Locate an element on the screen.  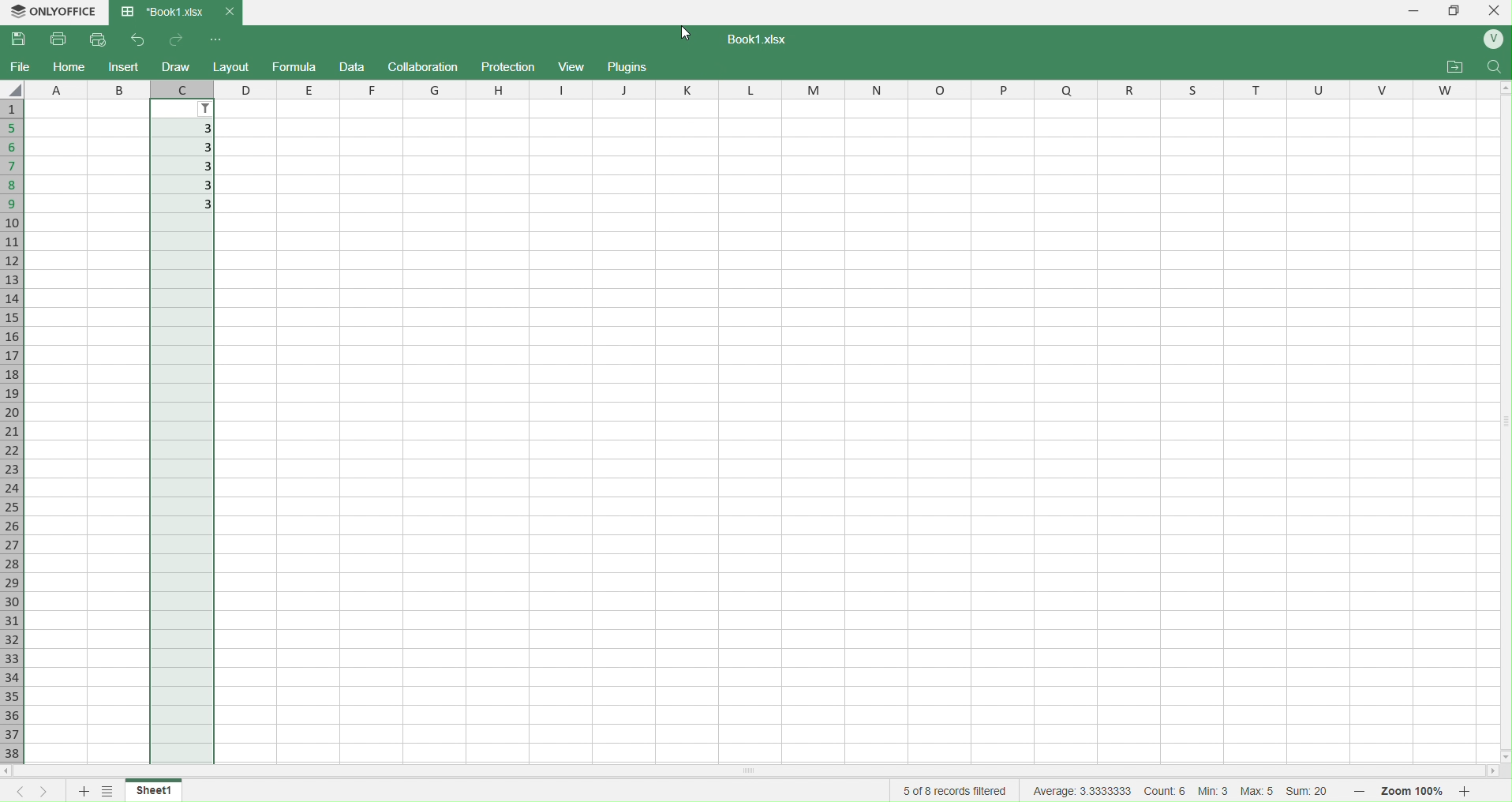
Home is located at coordinates (69, 67).